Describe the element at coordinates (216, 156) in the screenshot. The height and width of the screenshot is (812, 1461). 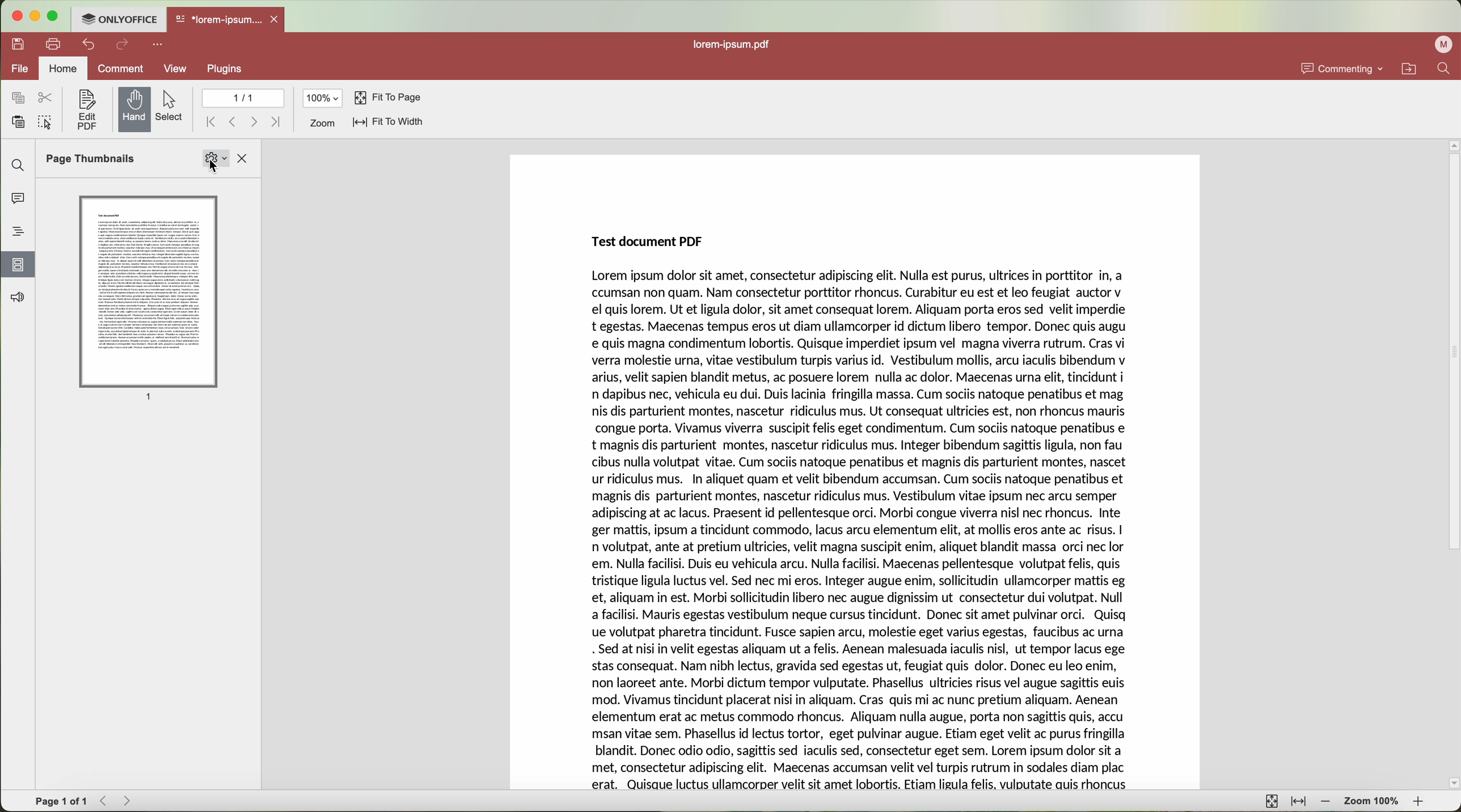
I see `Settings` at that location.